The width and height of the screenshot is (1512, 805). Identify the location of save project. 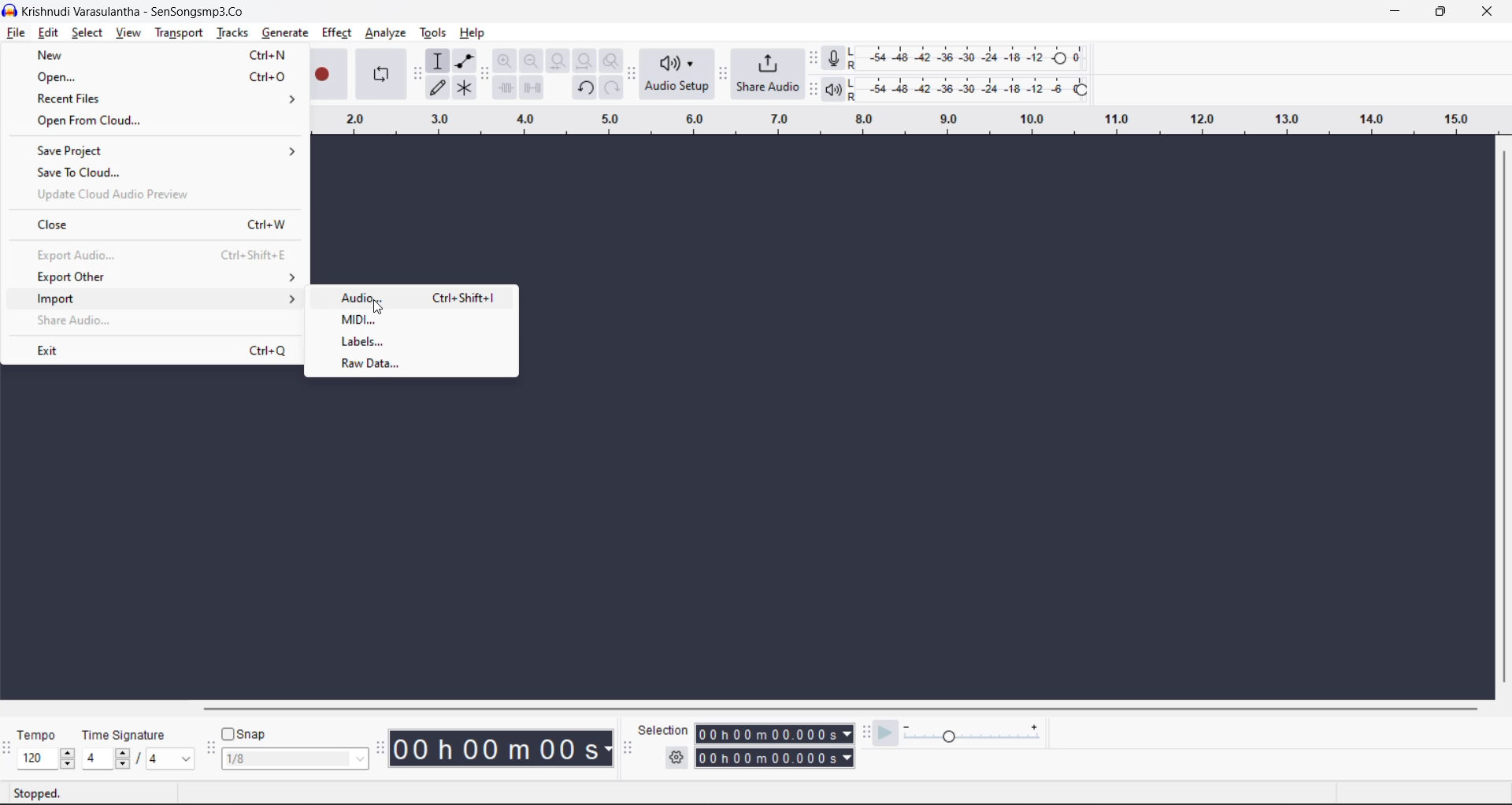
(172, 151).